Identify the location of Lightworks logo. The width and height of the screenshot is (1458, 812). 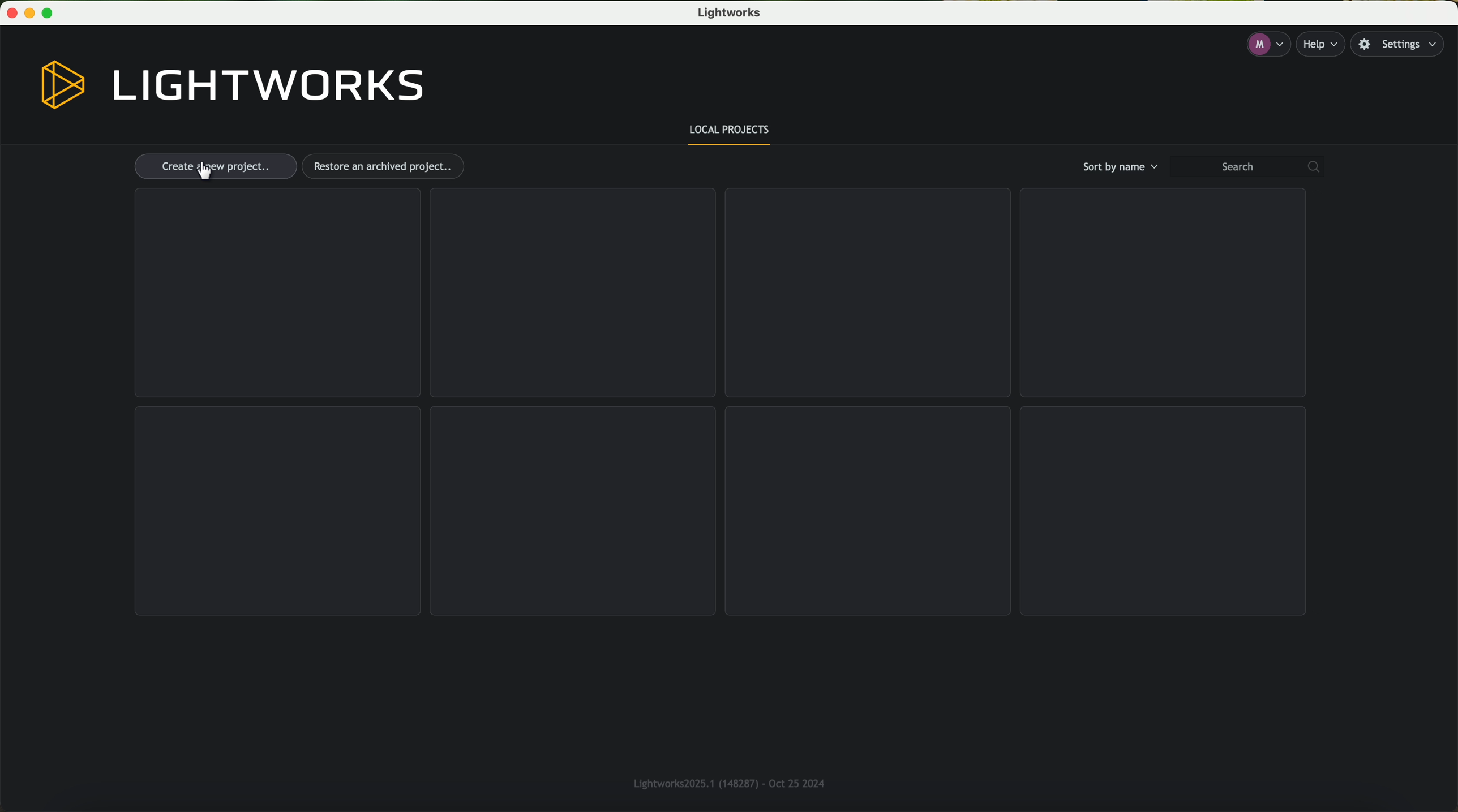
(233, 85).